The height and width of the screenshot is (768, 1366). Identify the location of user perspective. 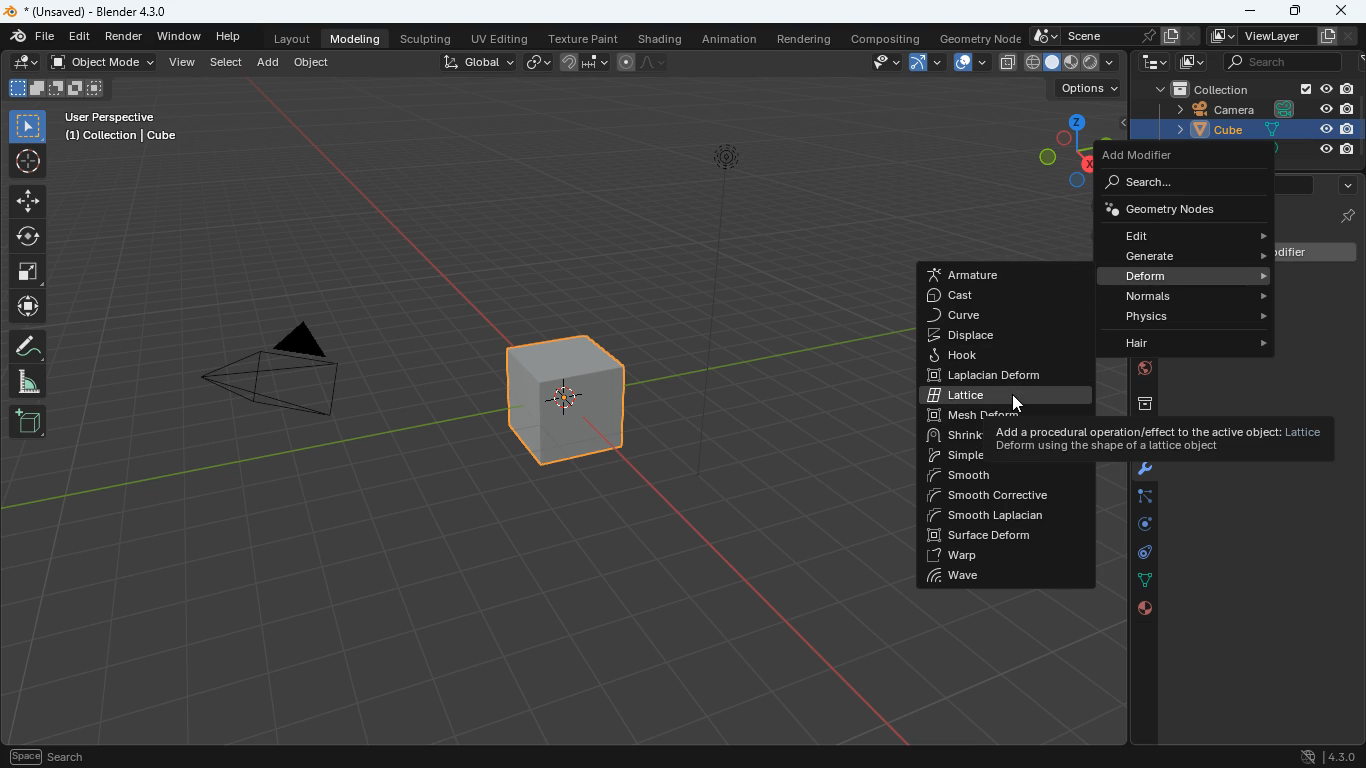
(130, 125).